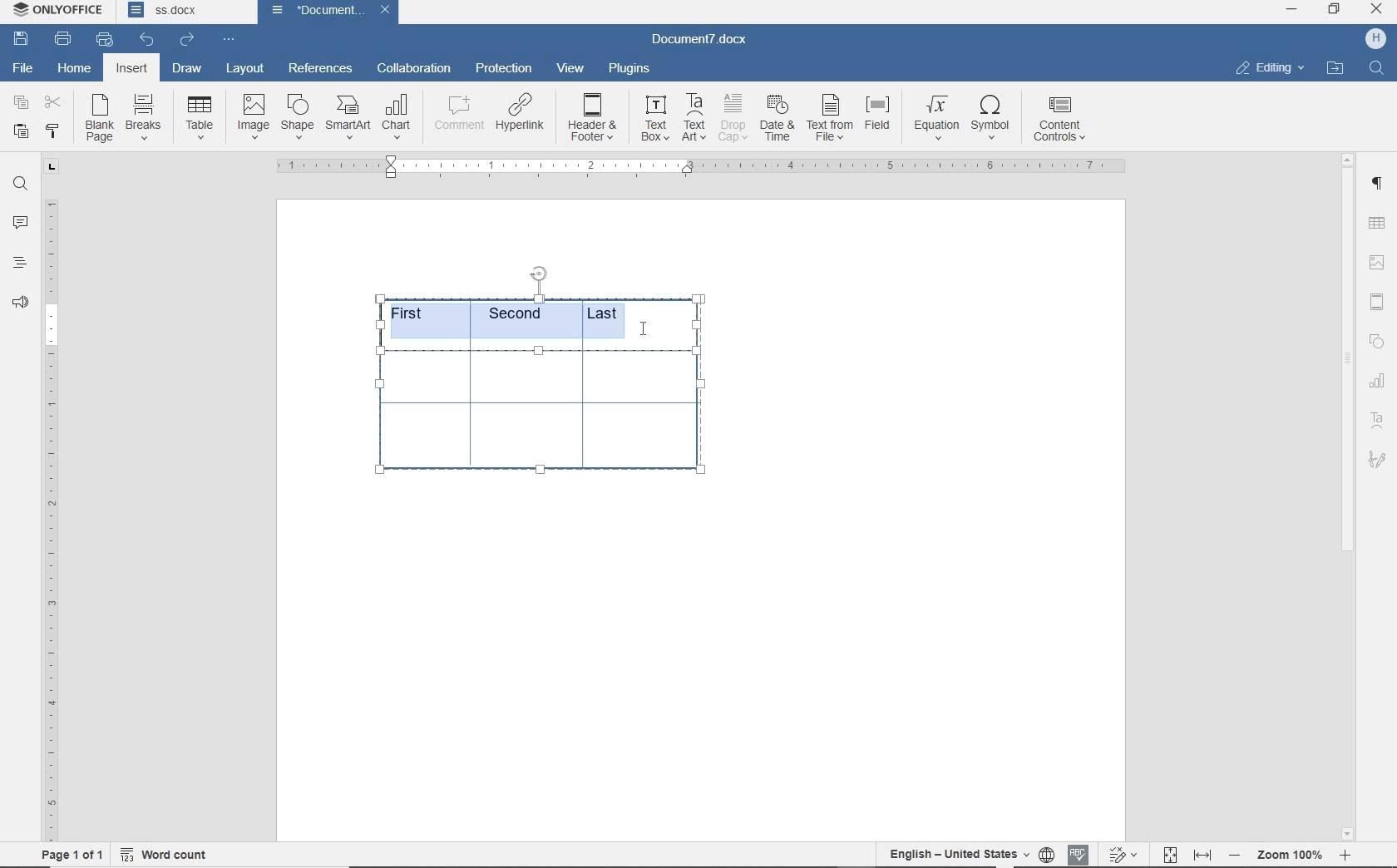 This screenshot has width=1397, height=868. I want to click on Table, so click(201, 119).